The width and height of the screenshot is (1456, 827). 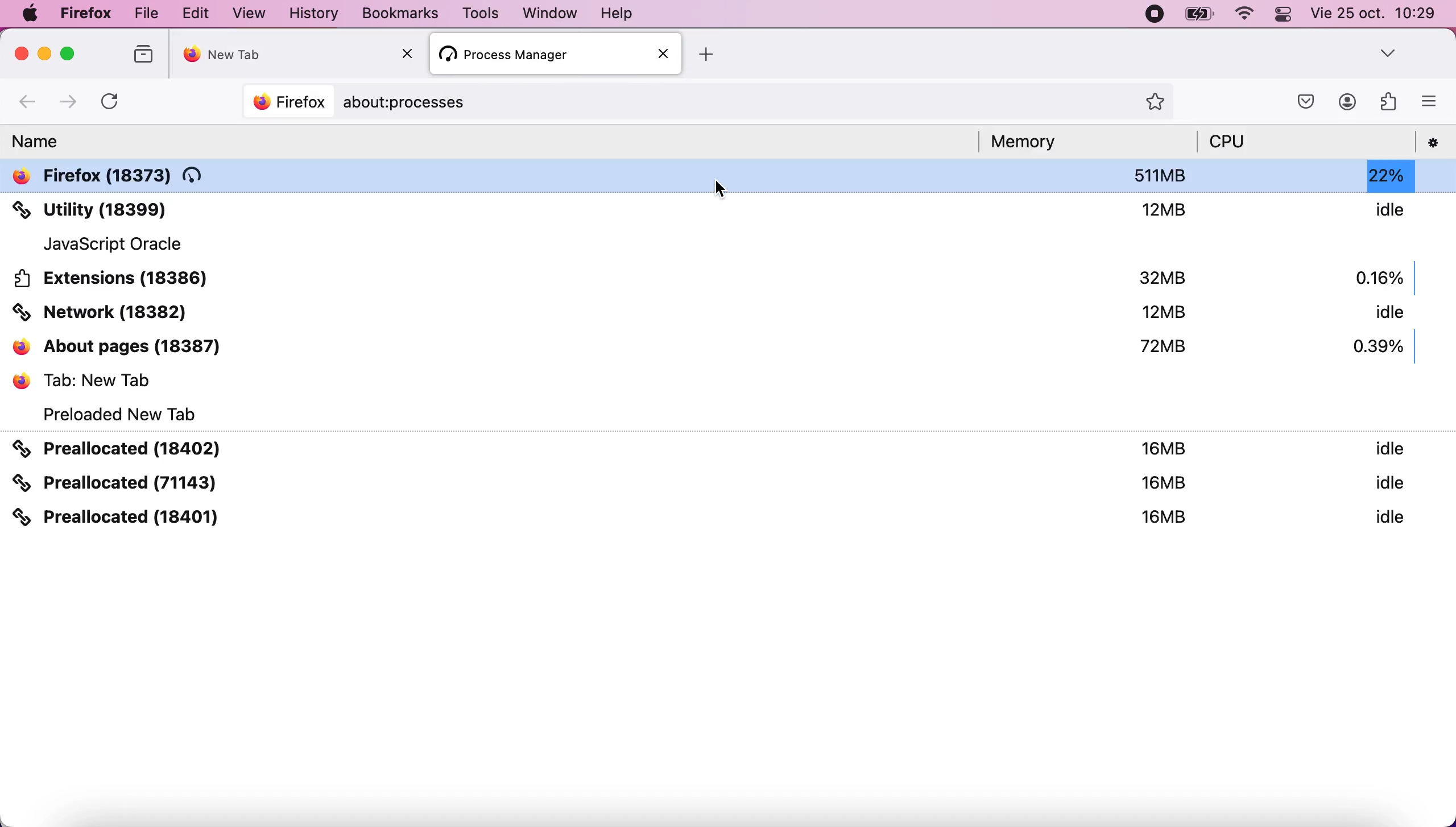 I want to click on Memory, so click(x=1033, y=142).